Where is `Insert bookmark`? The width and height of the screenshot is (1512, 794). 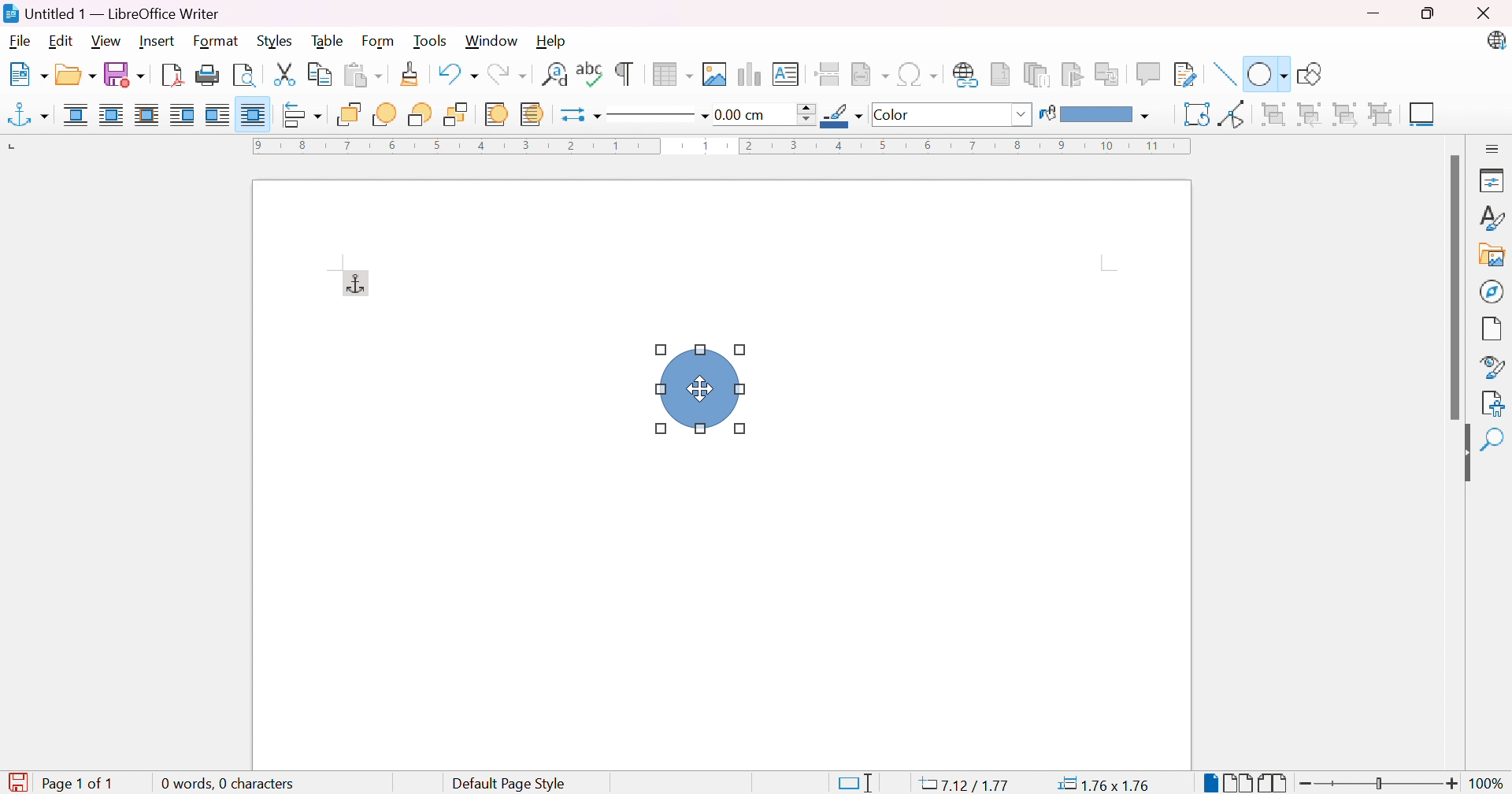 Insert bookmark is located at coordinates (1073, 74).